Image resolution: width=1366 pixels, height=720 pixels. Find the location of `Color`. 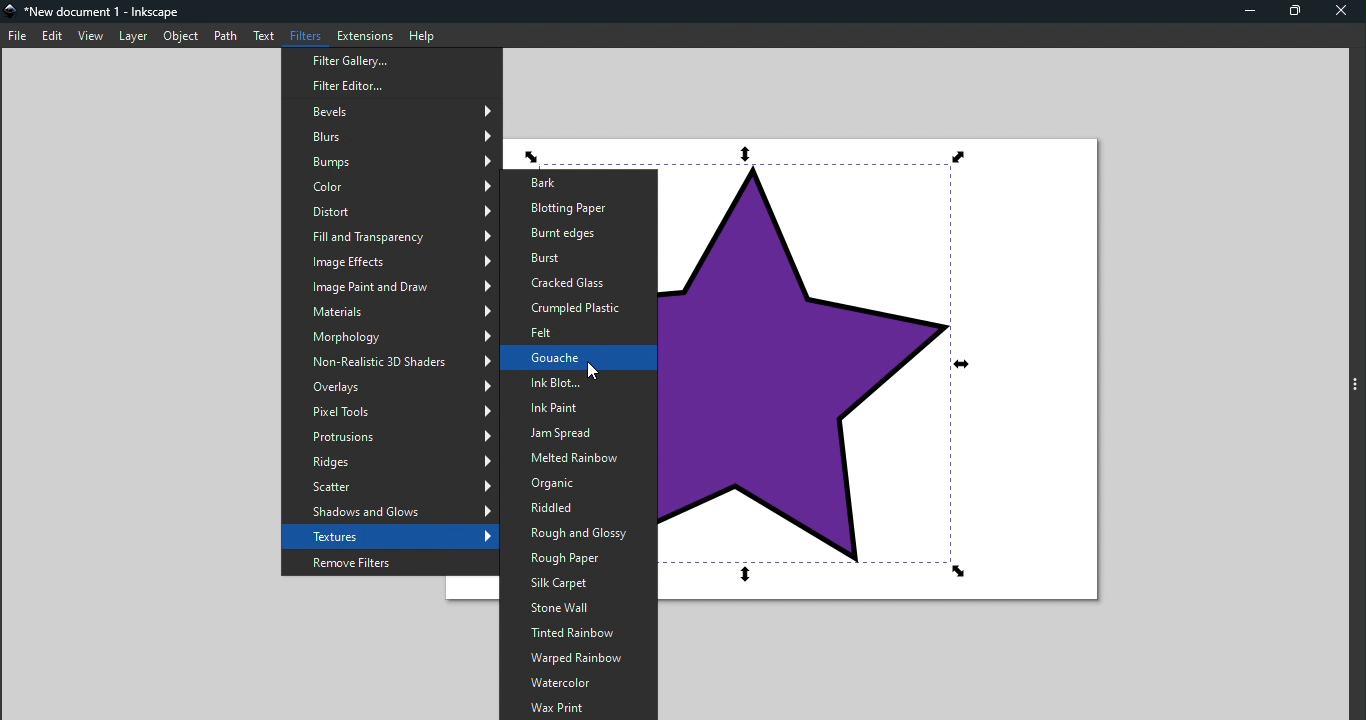

Color is located at coordinates (389, 187).